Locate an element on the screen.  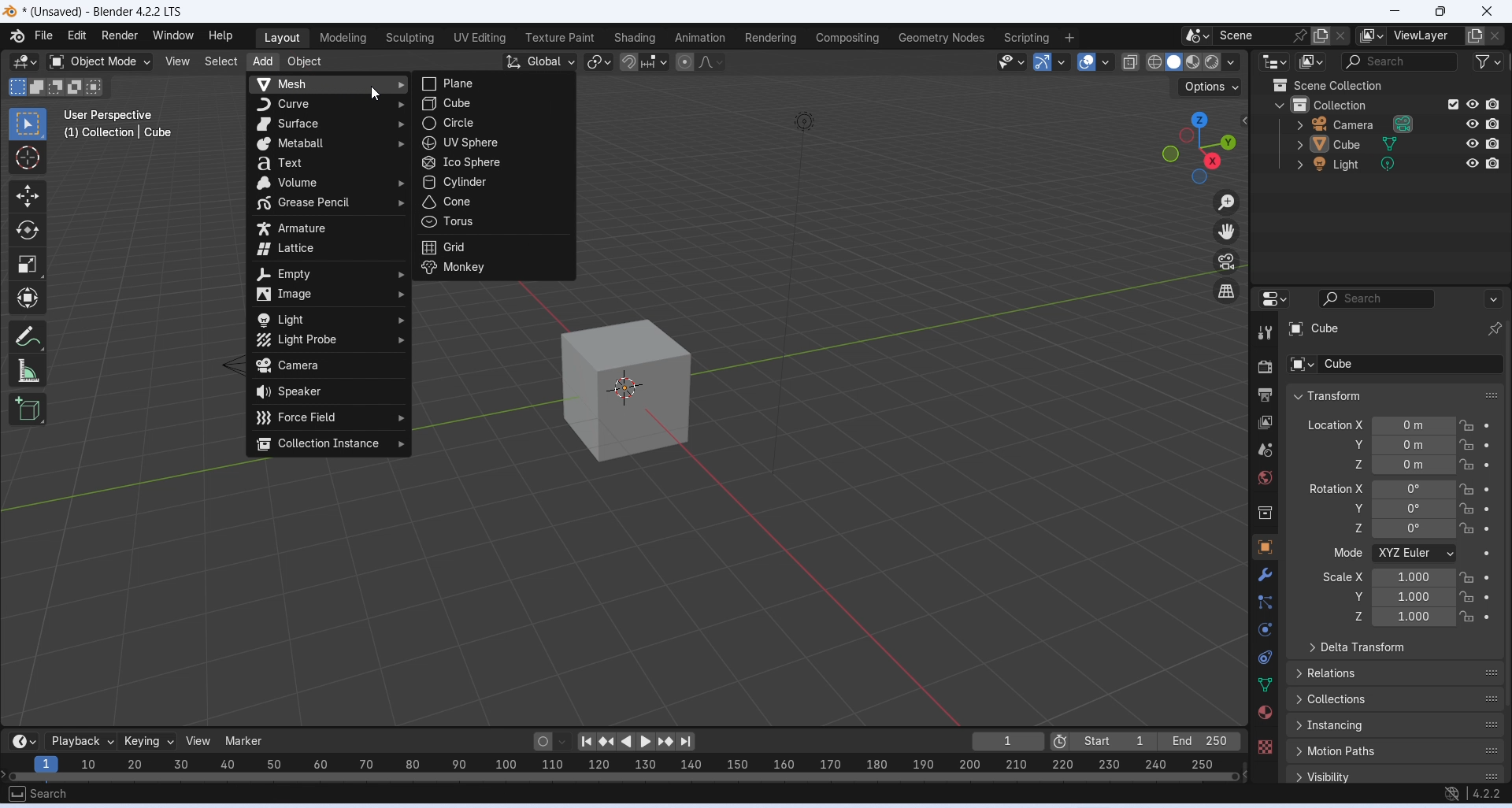
plane is located at coordinates (495, 84).